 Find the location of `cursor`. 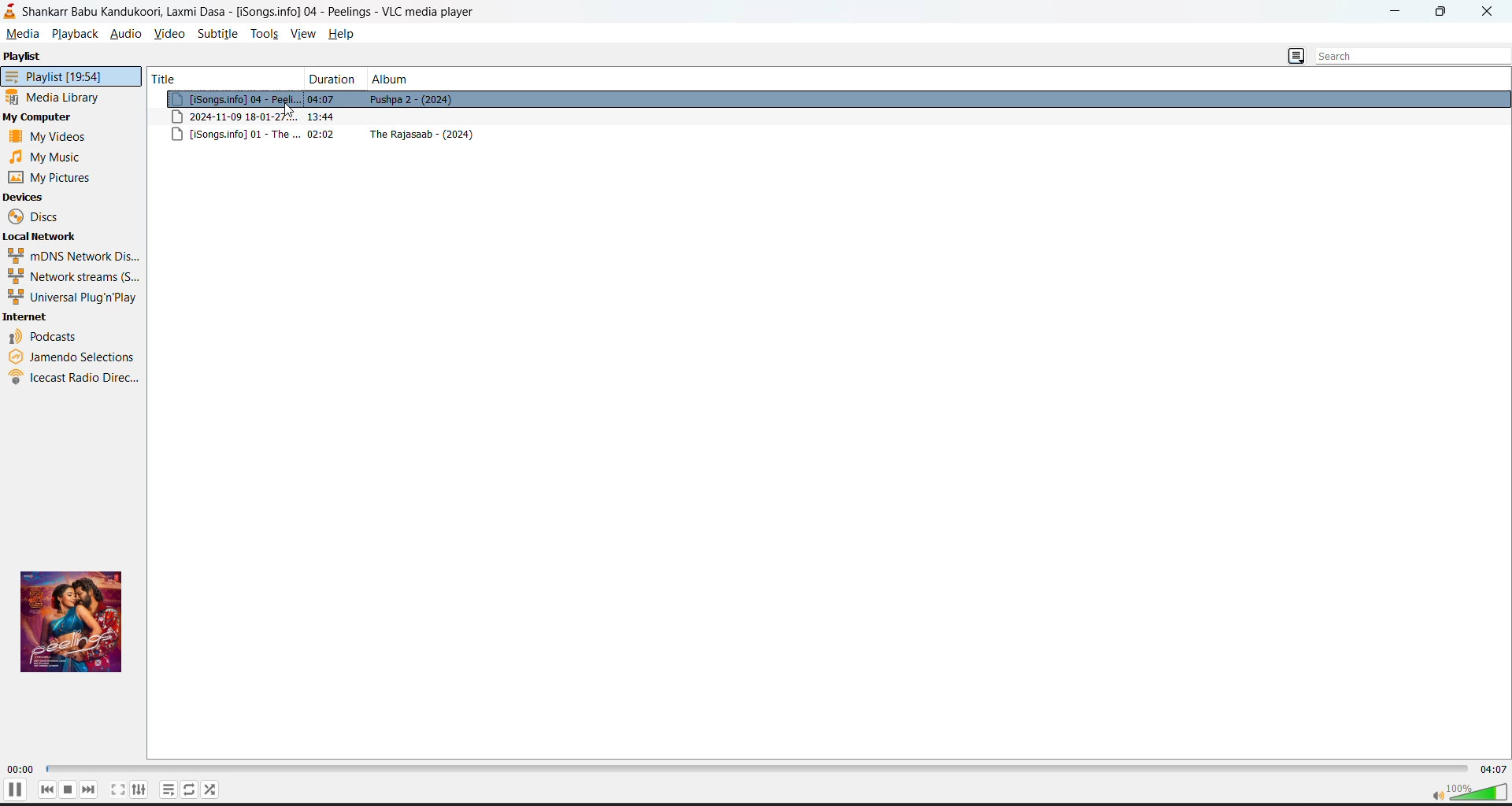

cursor is located at coordinates (291, 110).